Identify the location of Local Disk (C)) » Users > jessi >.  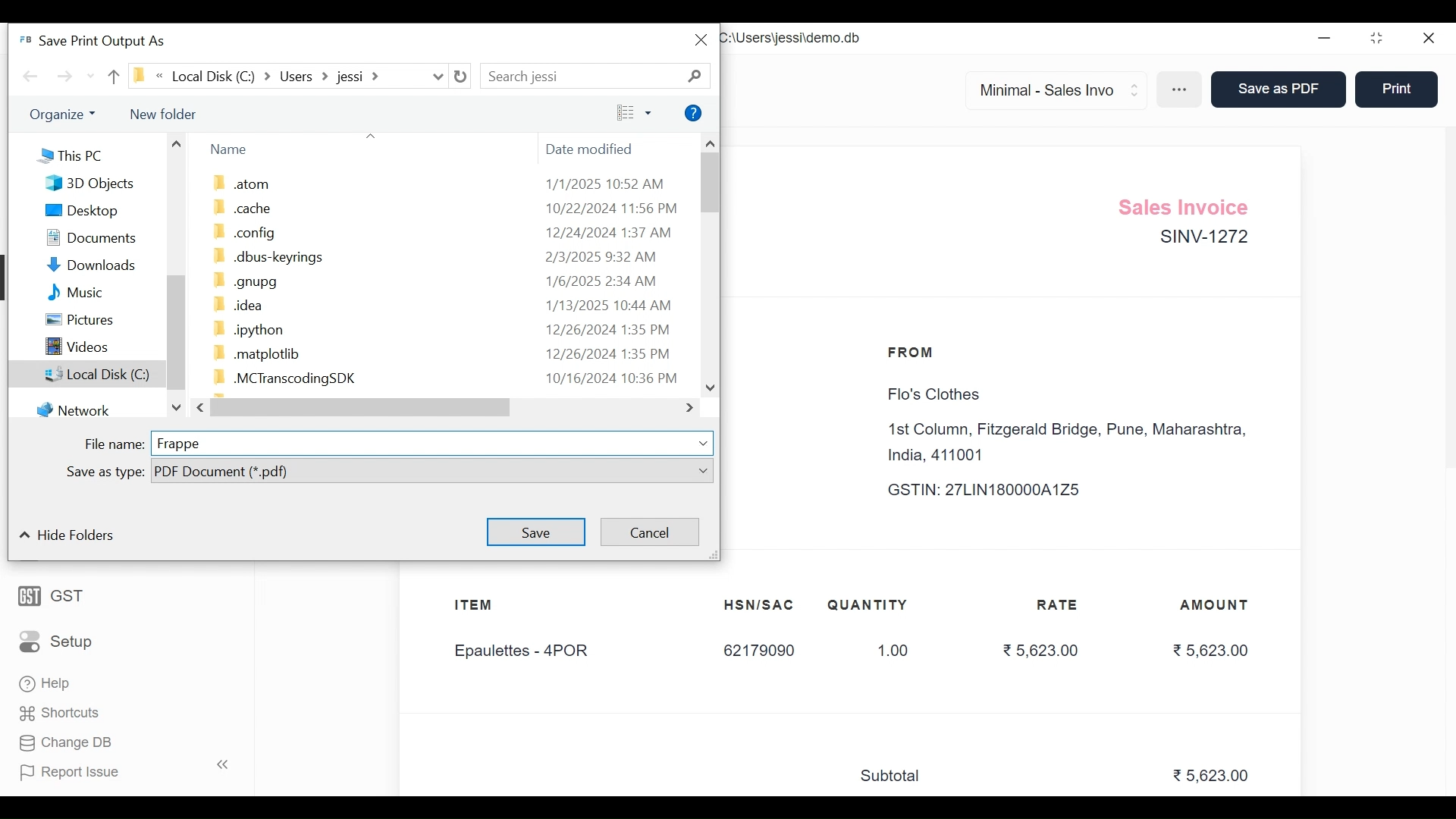
(275, 76).